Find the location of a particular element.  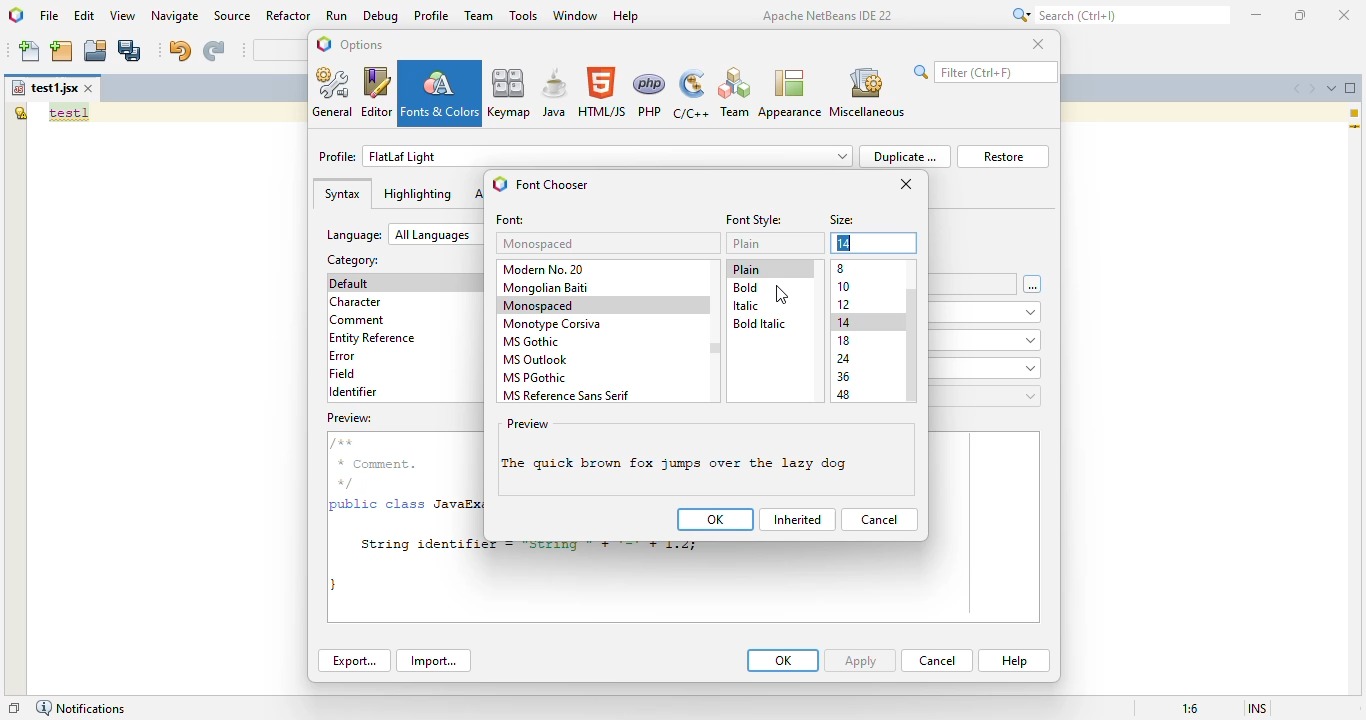

redo is located at coordinates (213, 51).